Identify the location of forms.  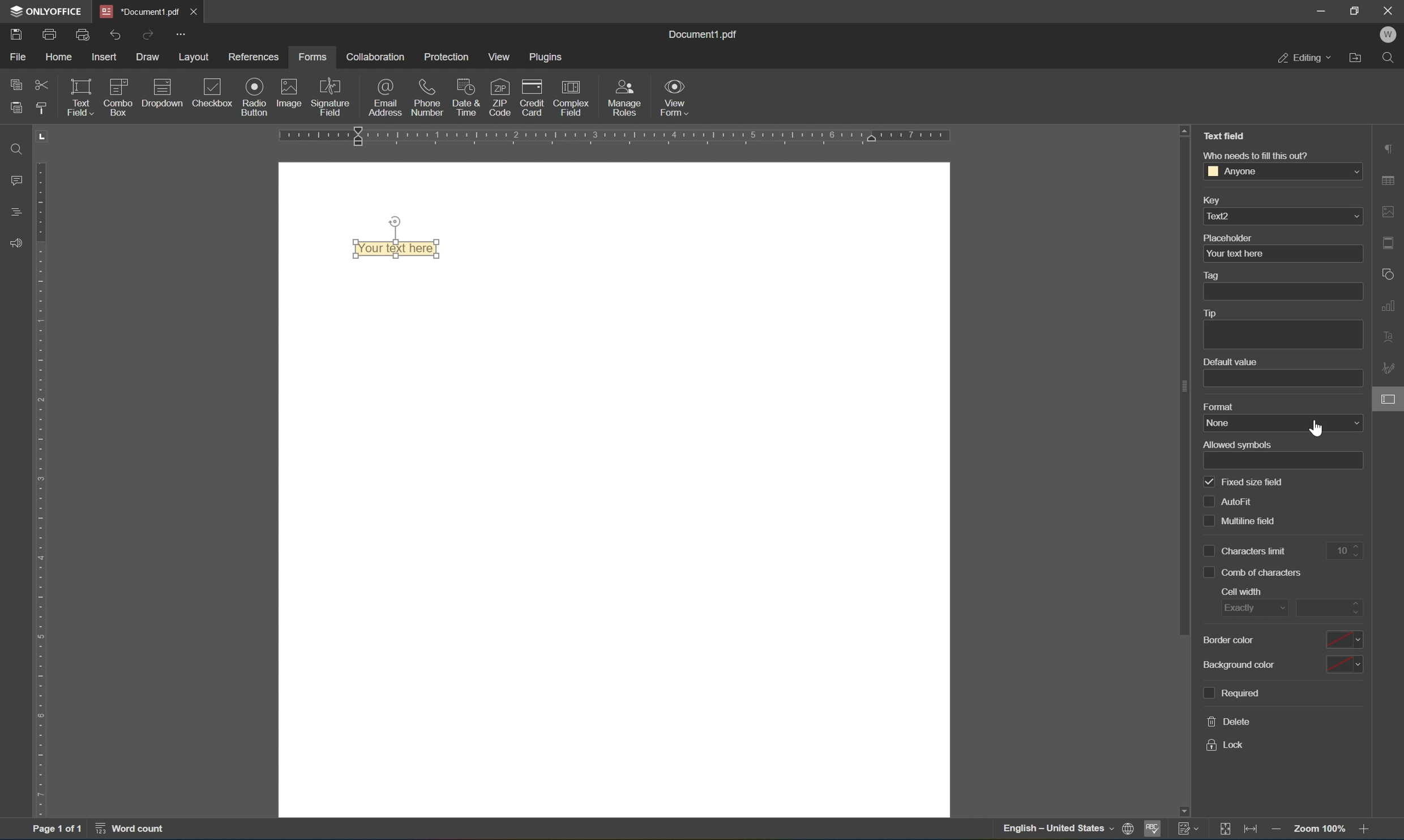
(311, 58).